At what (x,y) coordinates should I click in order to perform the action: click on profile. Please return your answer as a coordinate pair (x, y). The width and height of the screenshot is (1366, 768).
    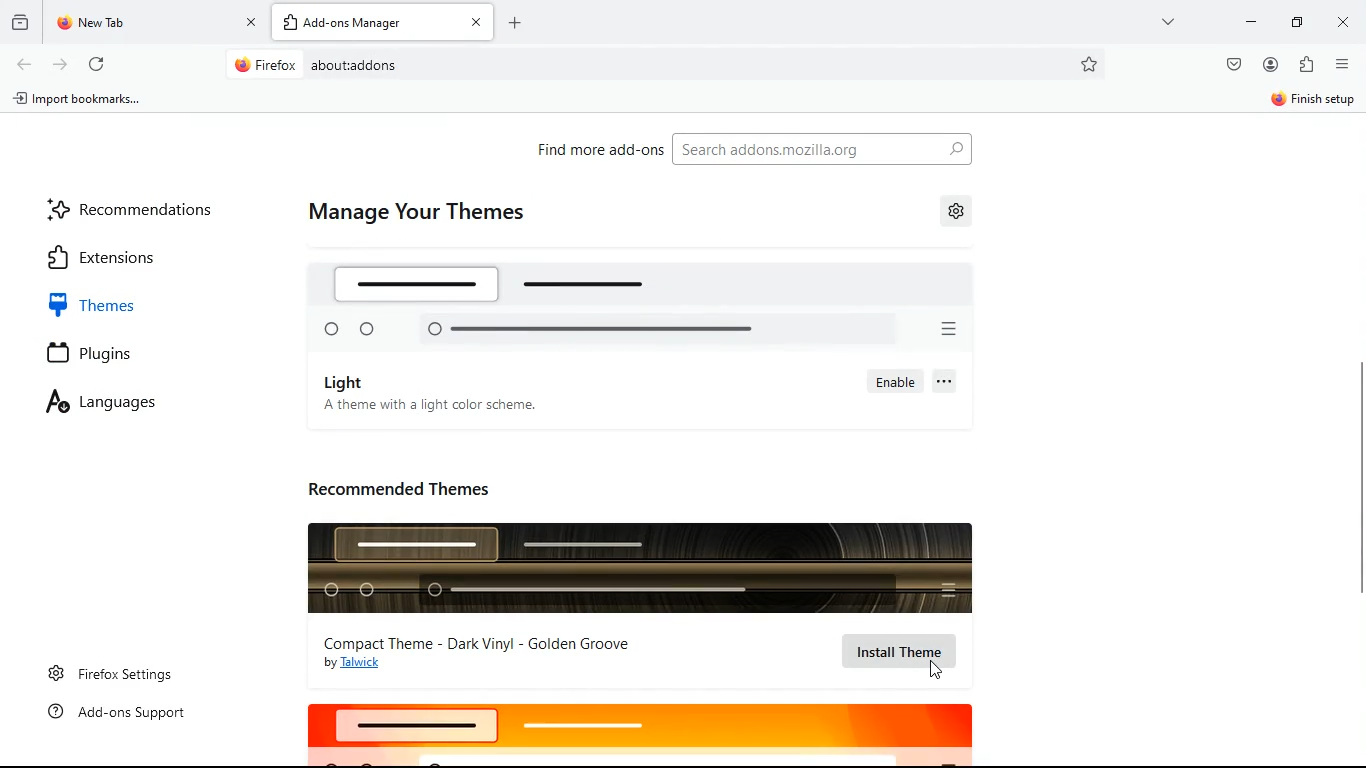
    Looking at the image, I should click on (1271, 68).